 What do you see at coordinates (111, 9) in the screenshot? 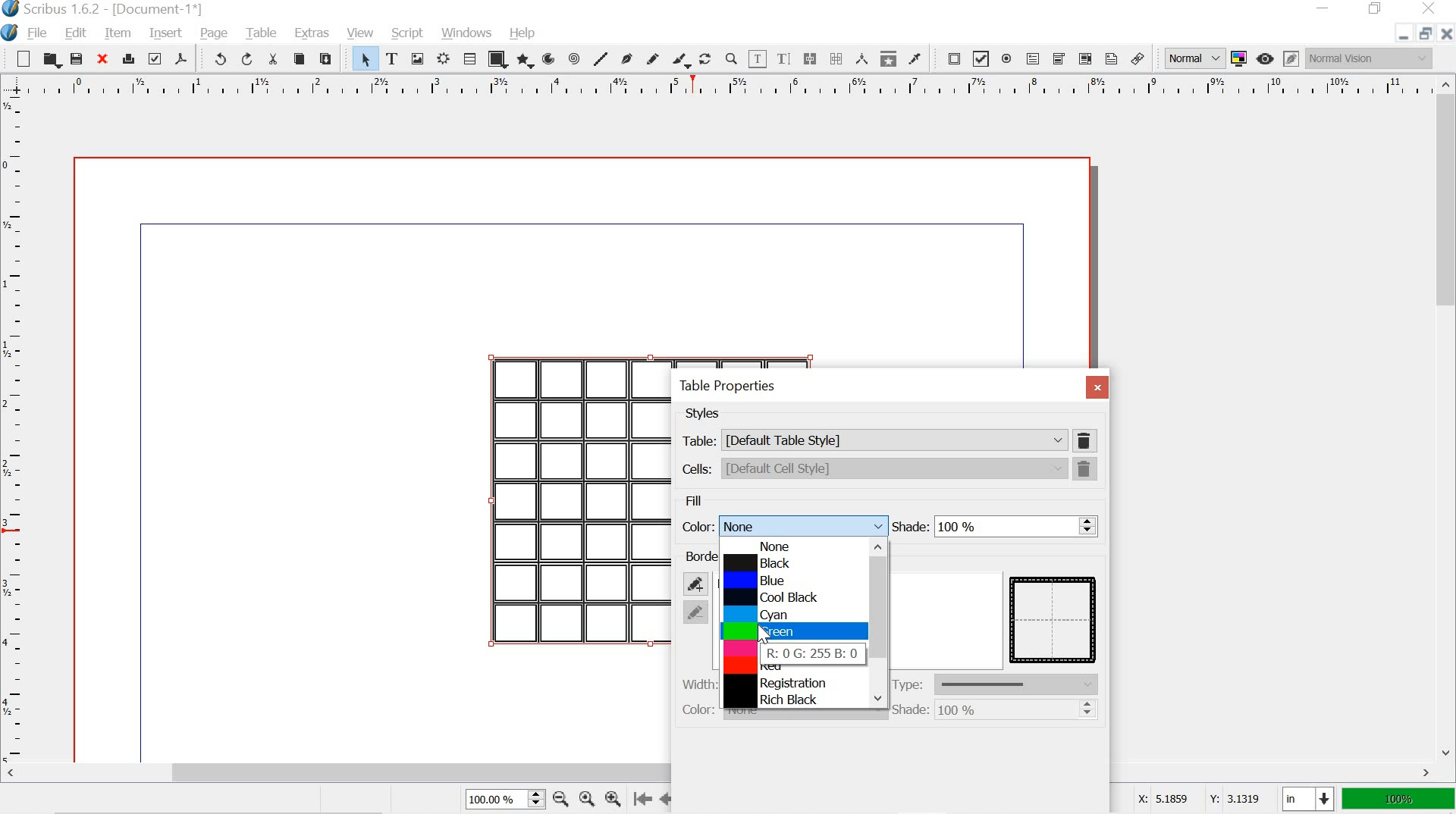
I see `scribus 1.6.2 - [Document-1*]` at bounding box center [111, 9].